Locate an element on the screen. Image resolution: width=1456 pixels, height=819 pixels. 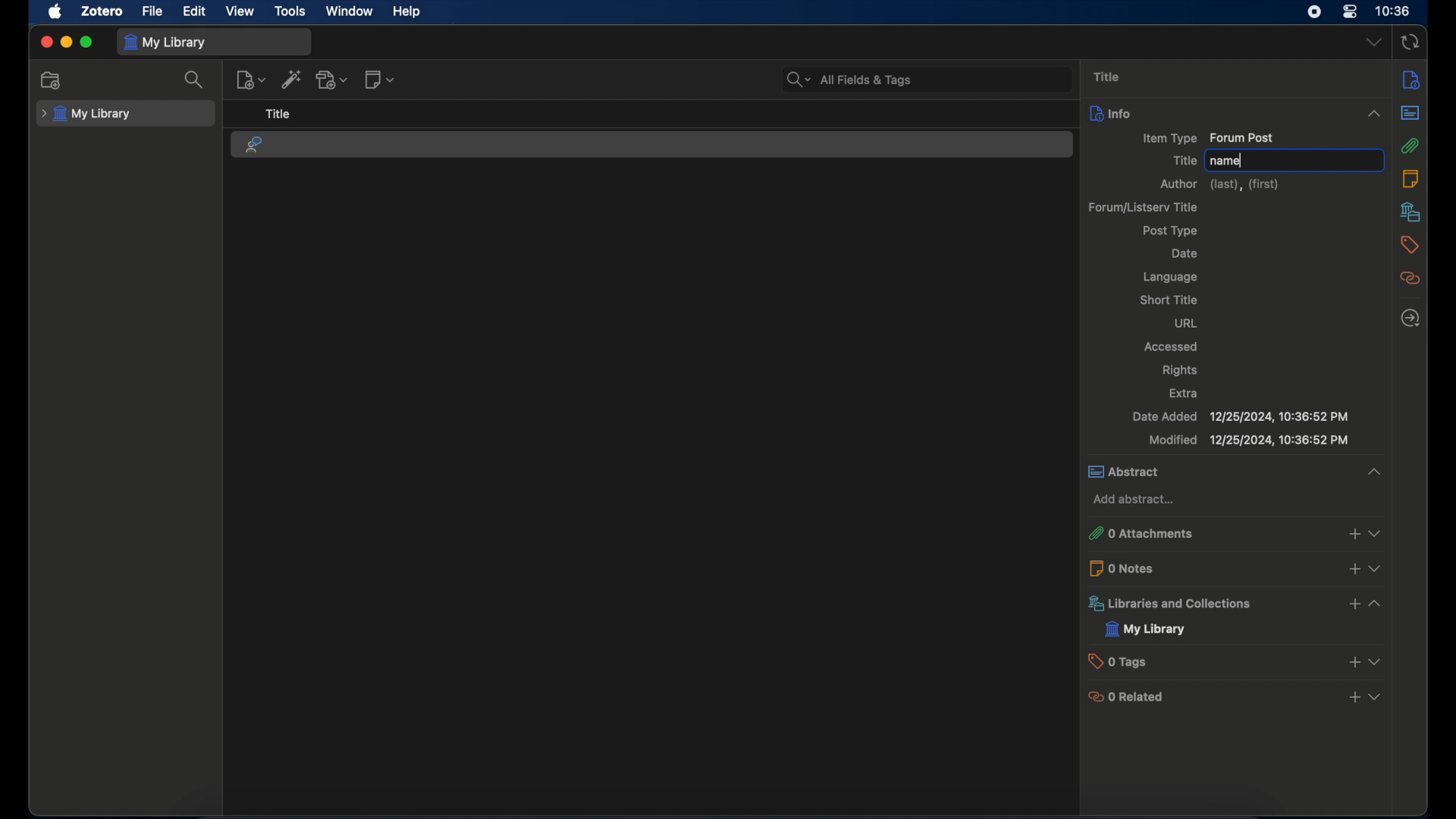
new collection is located at coordinates (51, 80).